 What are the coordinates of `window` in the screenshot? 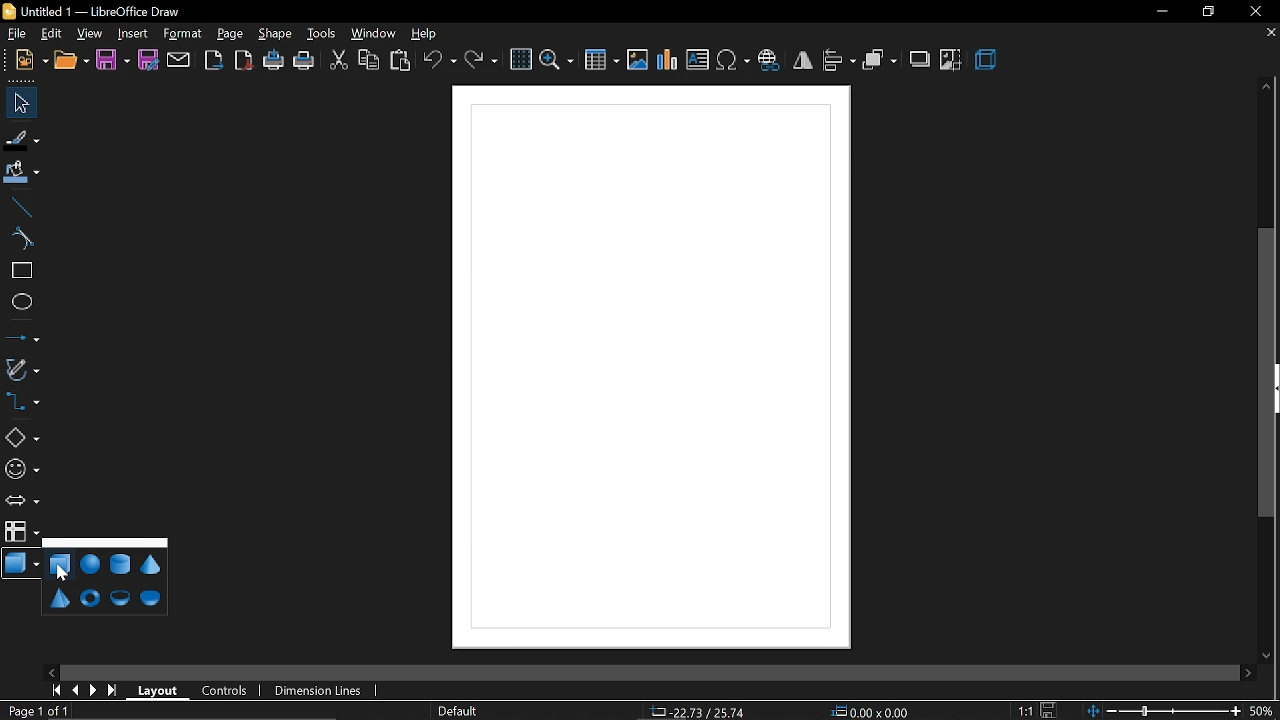 It's located at (377, 33).